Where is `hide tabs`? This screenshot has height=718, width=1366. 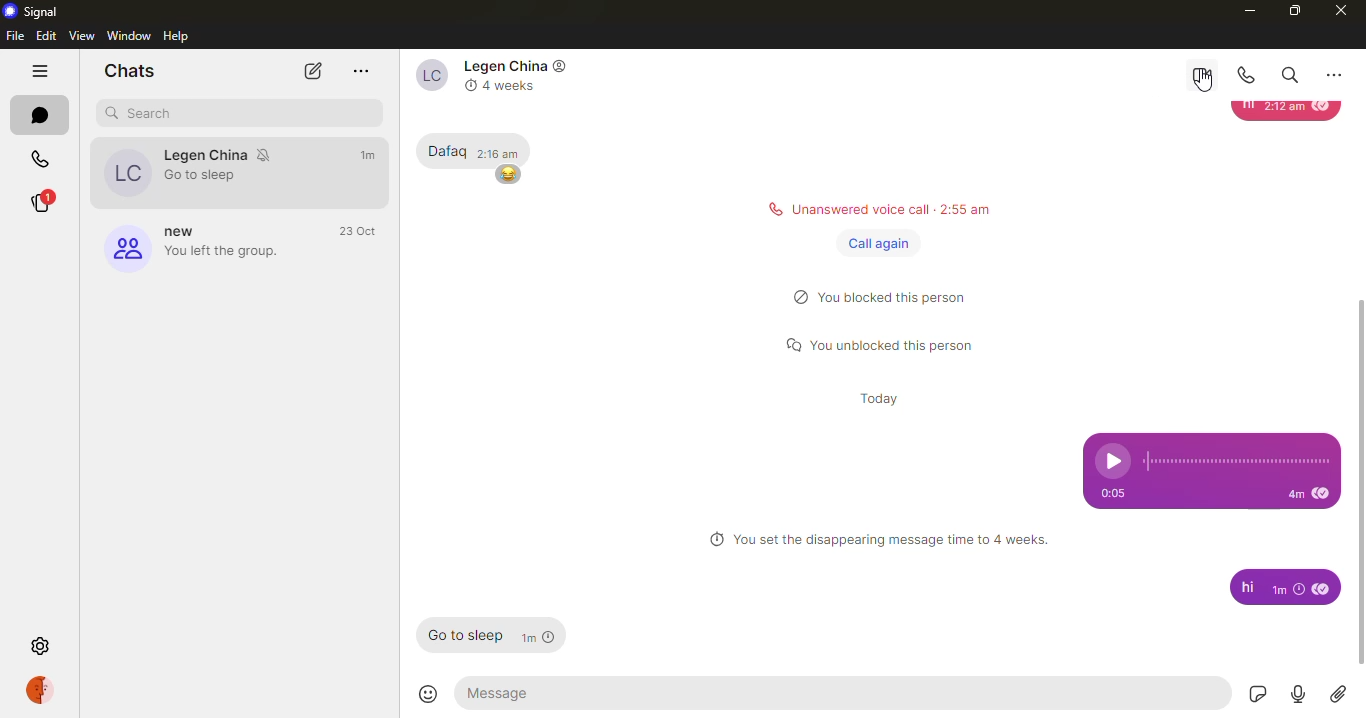 hide tabs is located at coordinates (35, 70).